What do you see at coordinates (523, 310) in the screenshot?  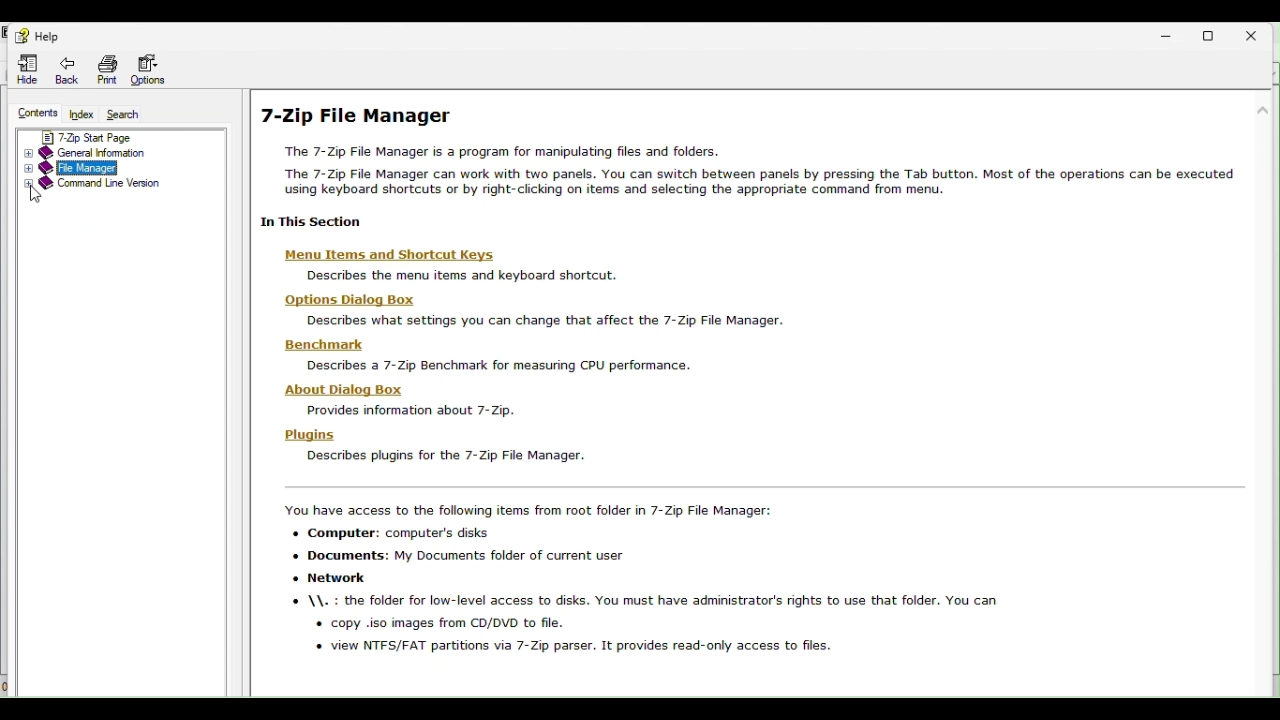 I see `options dialog box` at bounding box center [523, 310].